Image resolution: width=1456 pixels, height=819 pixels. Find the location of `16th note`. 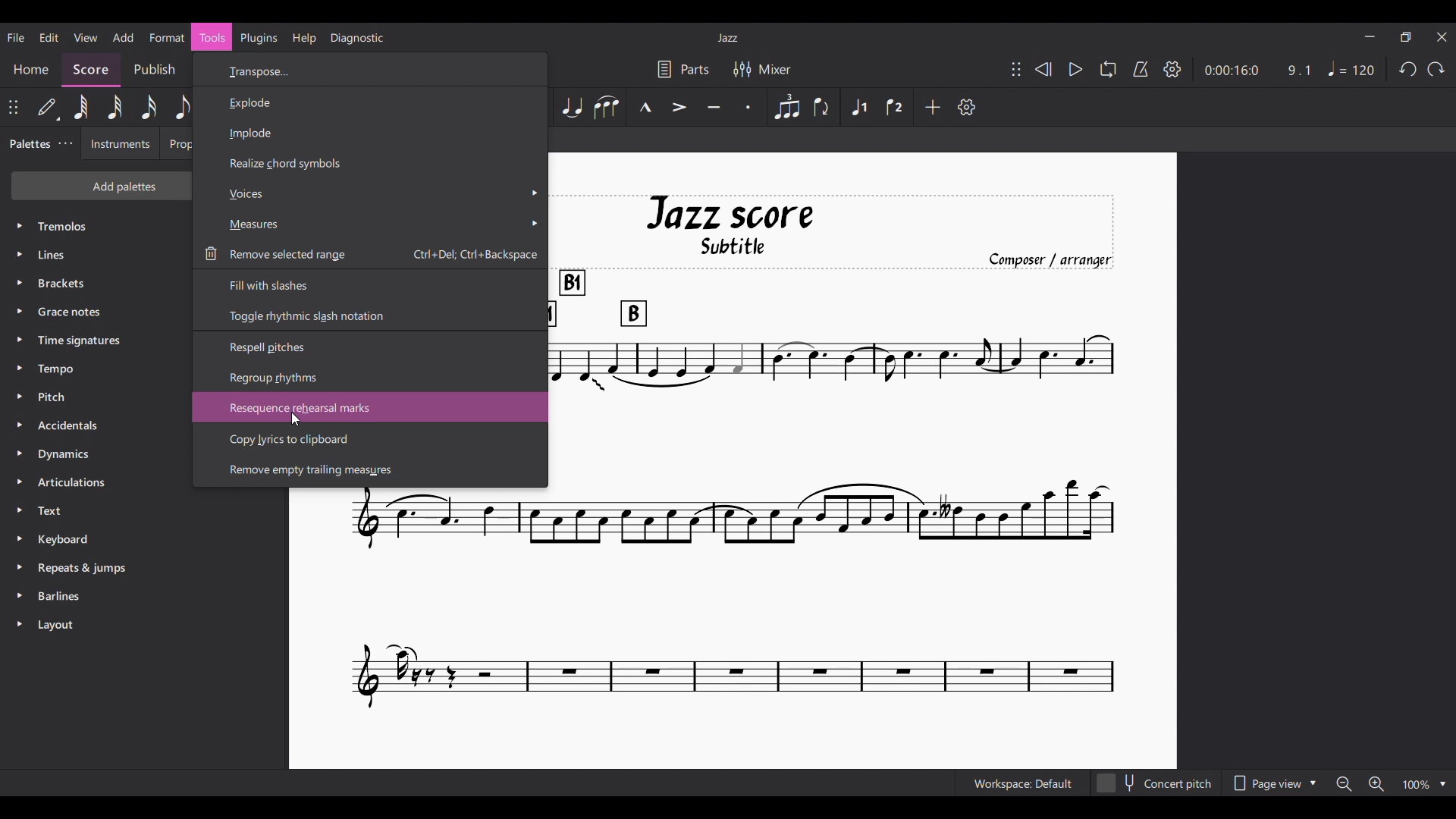

16th note is located at coordinates (149, 107).